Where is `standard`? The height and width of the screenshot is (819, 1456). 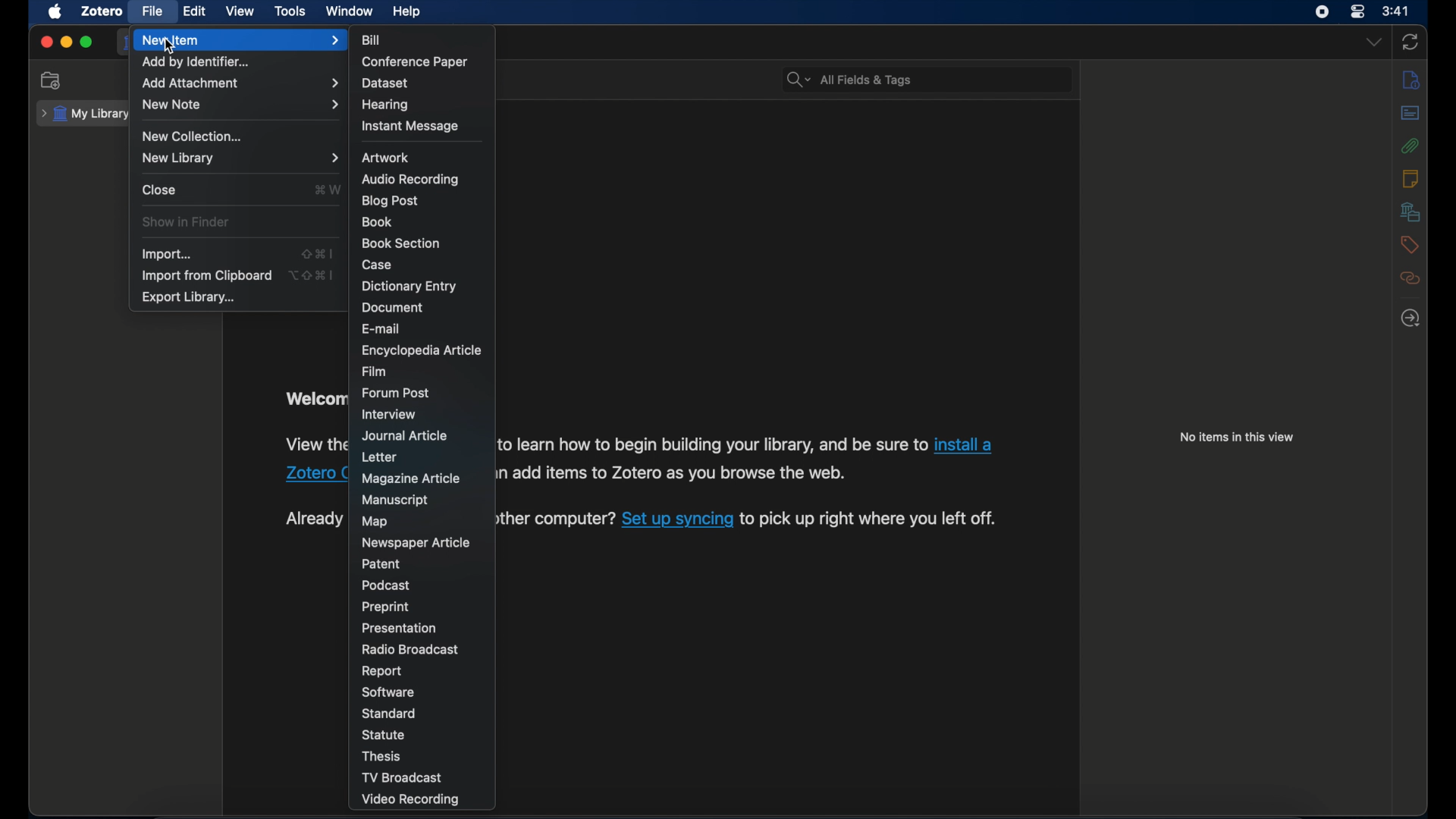
standard is located at coordinates (391, 714).